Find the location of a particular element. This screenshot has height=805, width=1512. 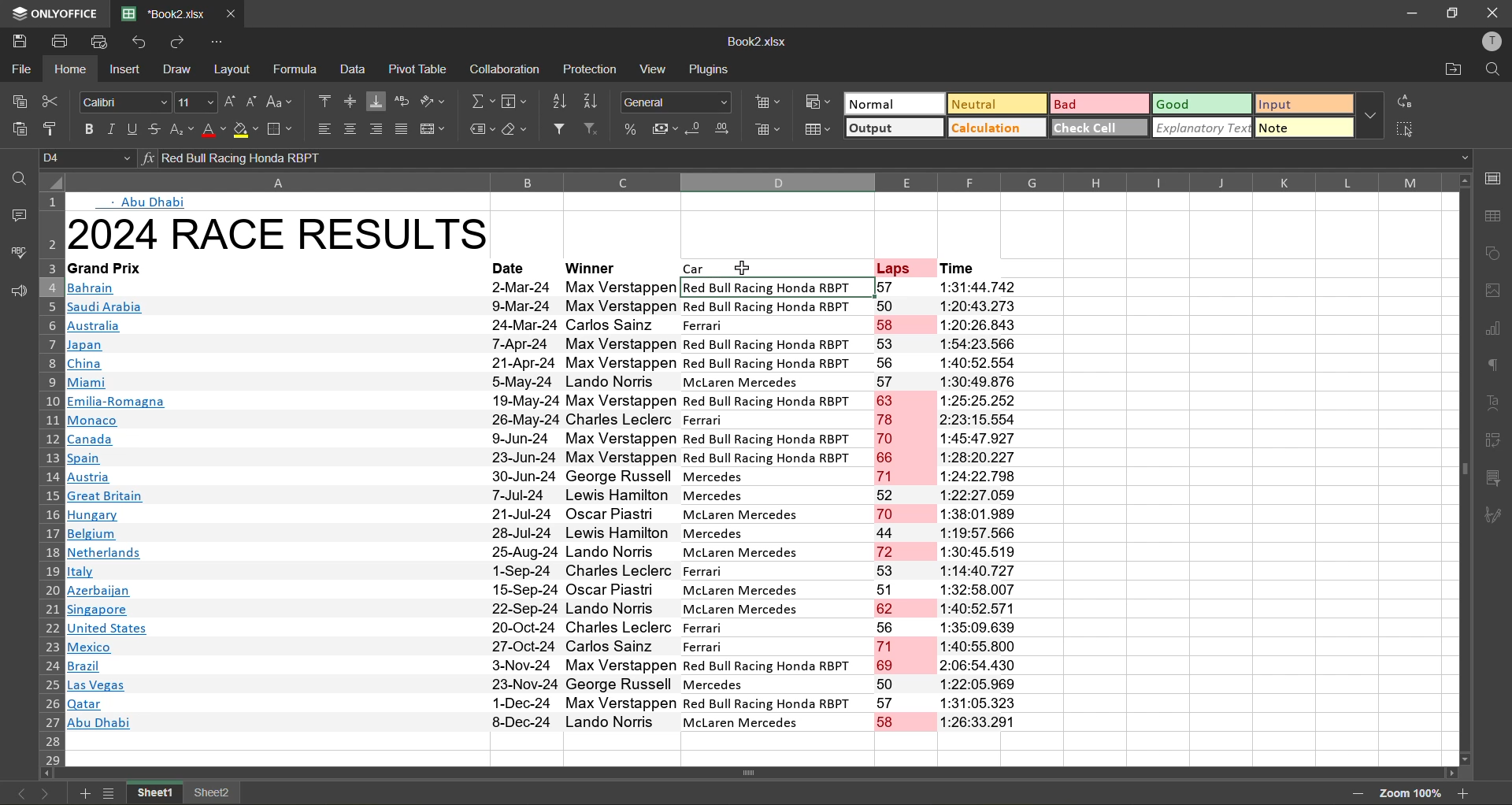

increment size is located at coordinates (231, 102).